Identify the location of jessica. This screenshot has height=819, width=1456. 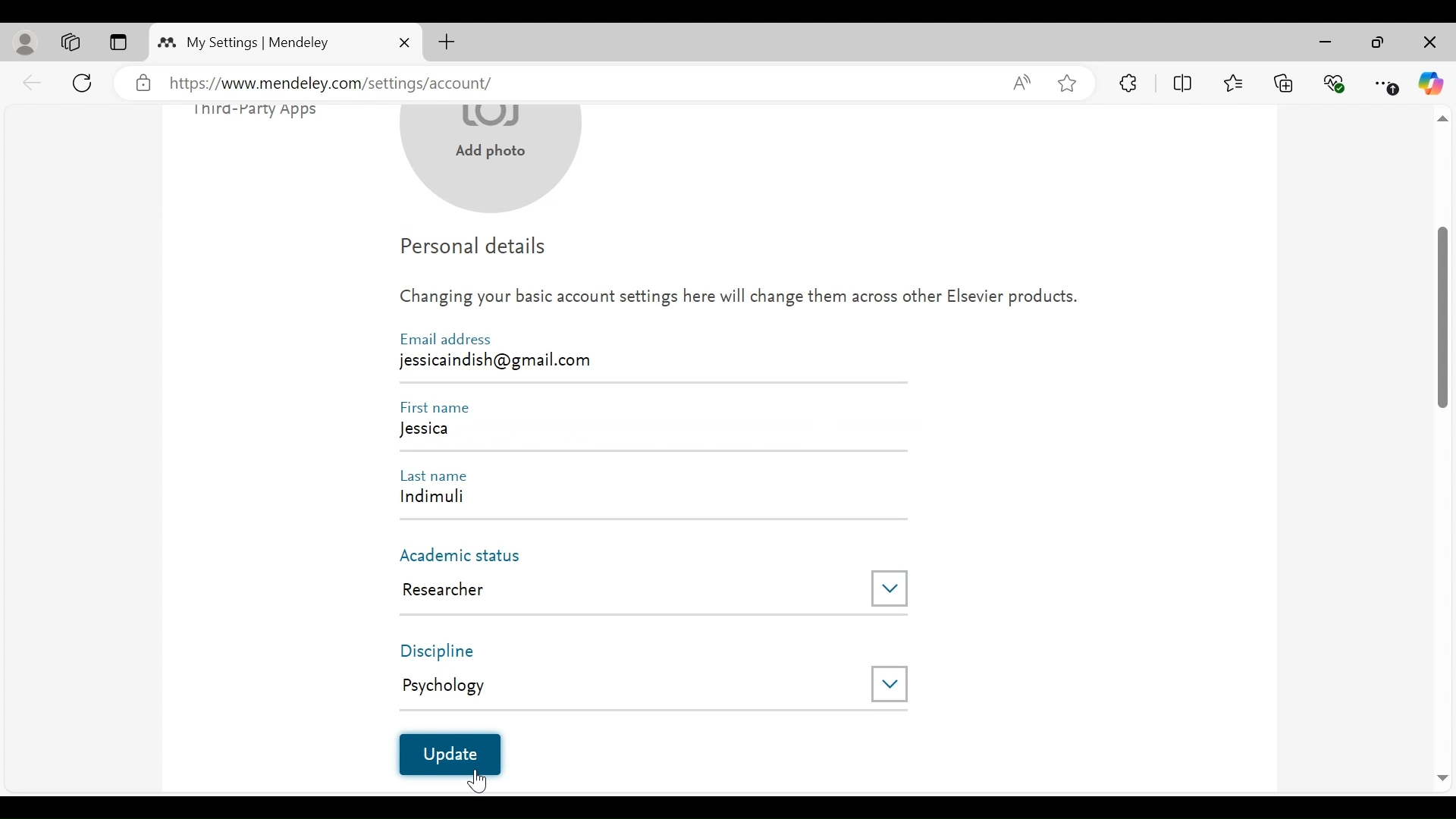
(650, 432).